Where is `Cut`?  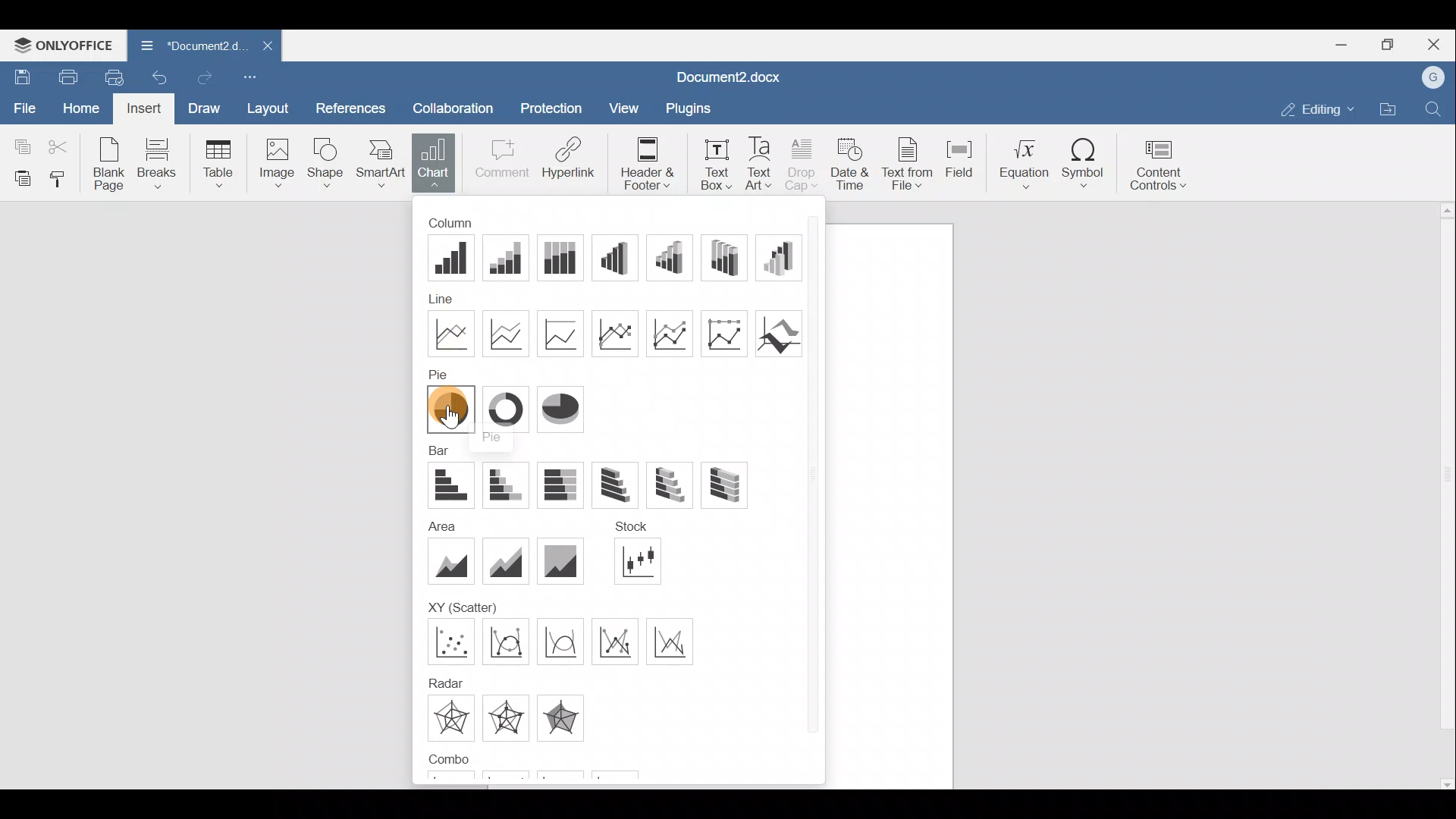 Cut is located at coordinates (59, 146).